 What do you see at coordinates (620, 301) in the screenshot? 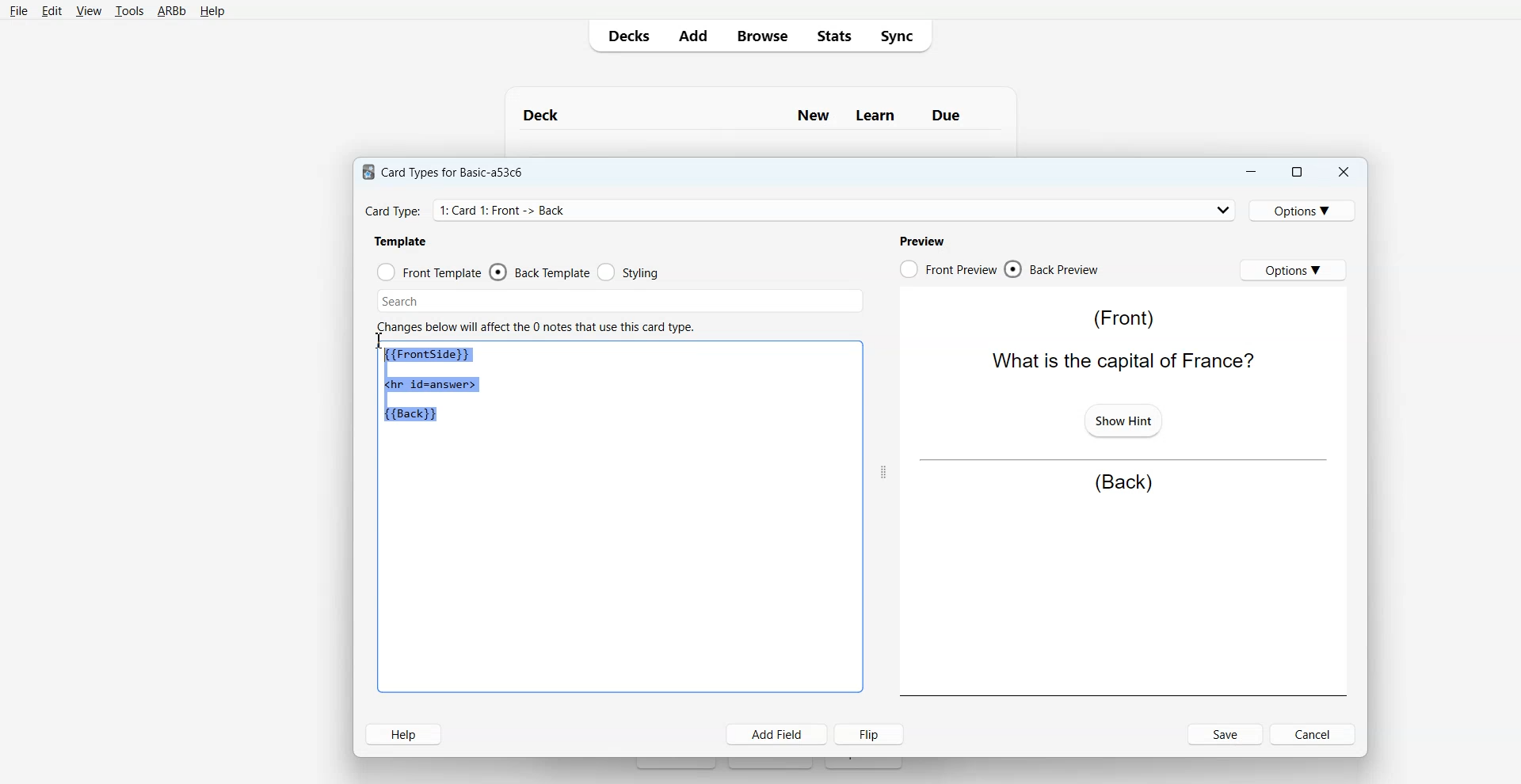
I see `Search Bar` at bounding box center [620, 301].